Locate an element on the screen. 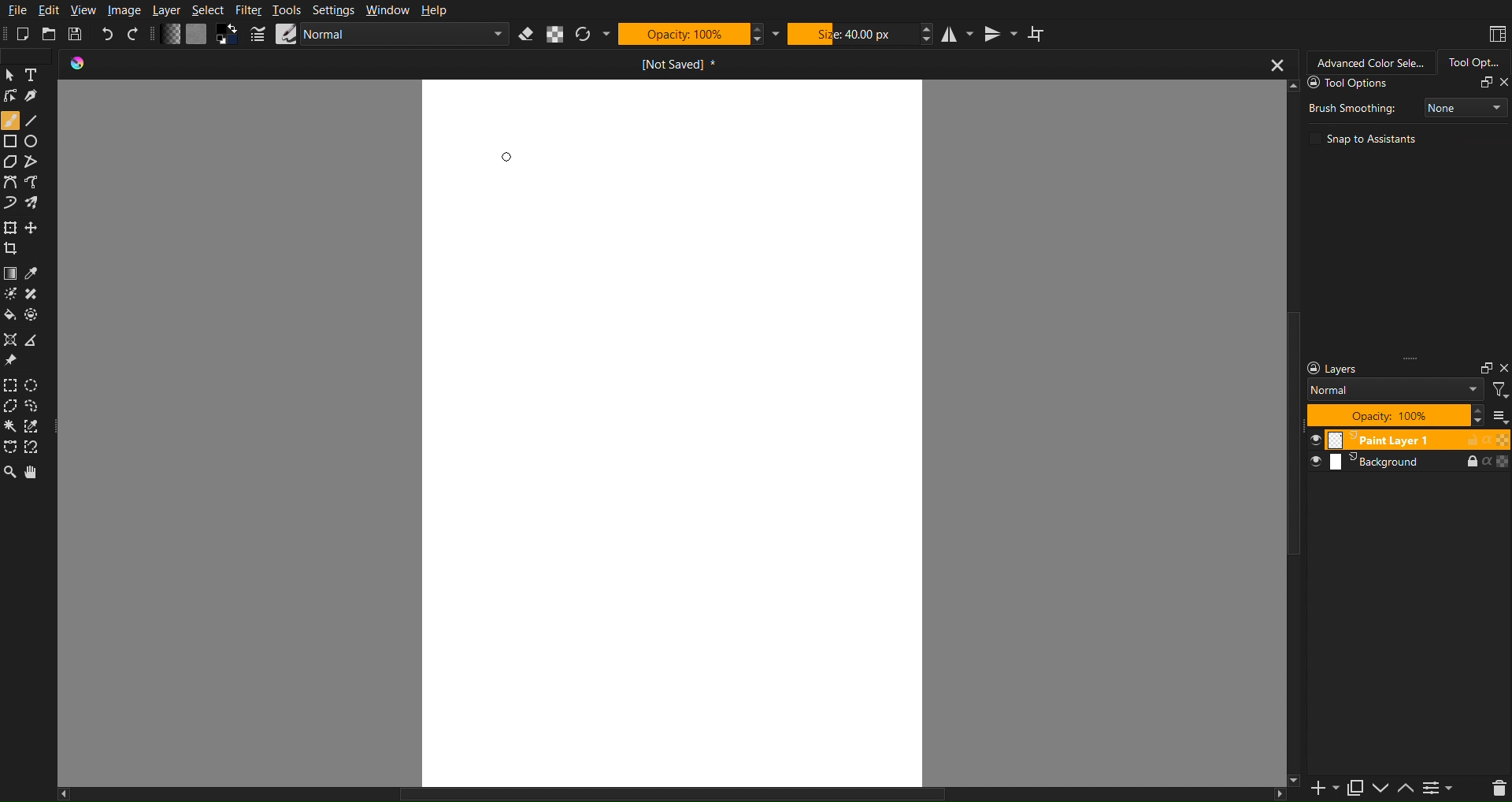  Brush is located at coordinates (10, 120).